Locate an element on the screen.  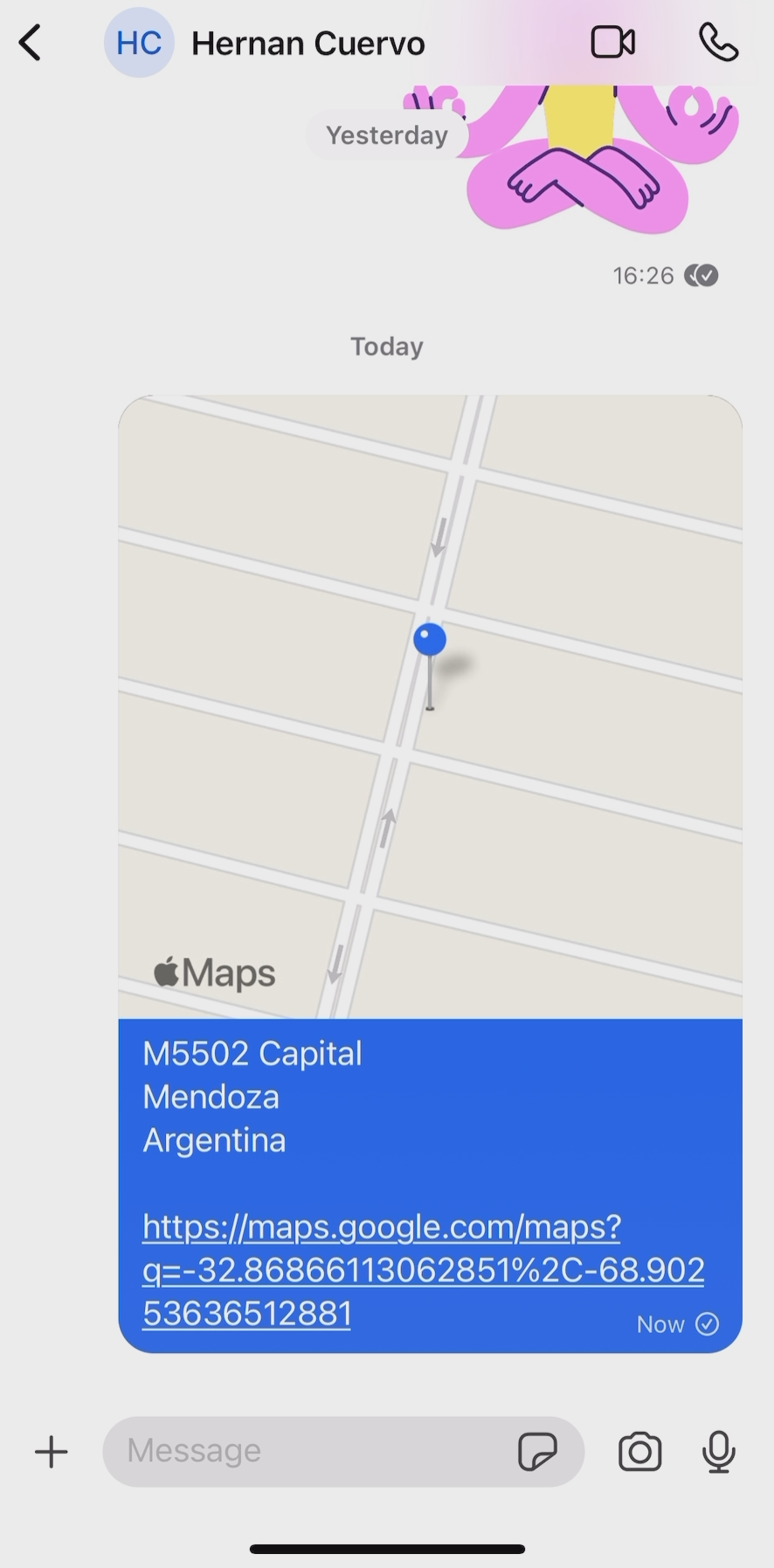
call is located at coordinates (720, 43).